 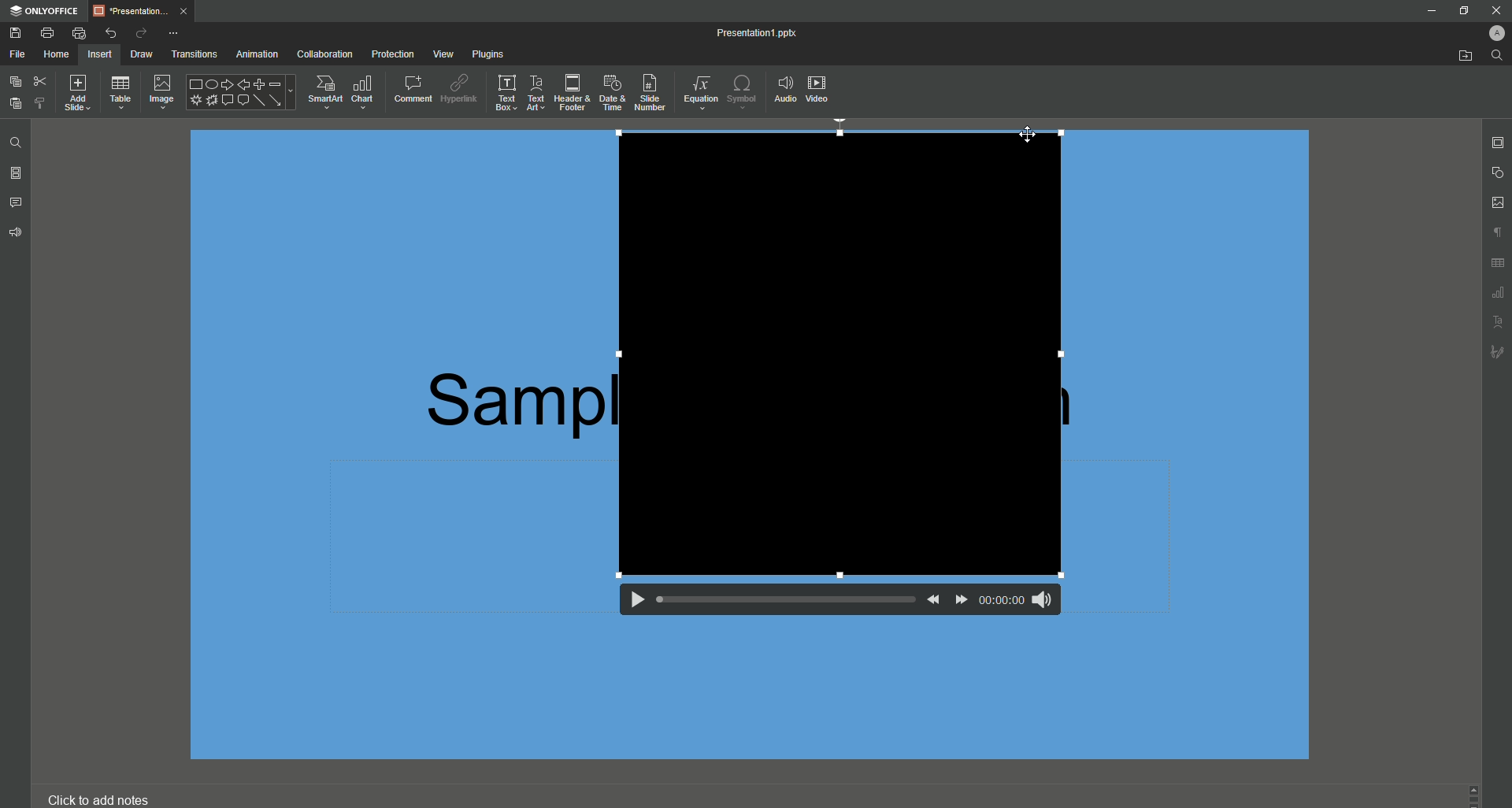 What do you see at coordinates (80, 32) in the screenshot?
I see `Quick Print` at bounding box center [80, 32].